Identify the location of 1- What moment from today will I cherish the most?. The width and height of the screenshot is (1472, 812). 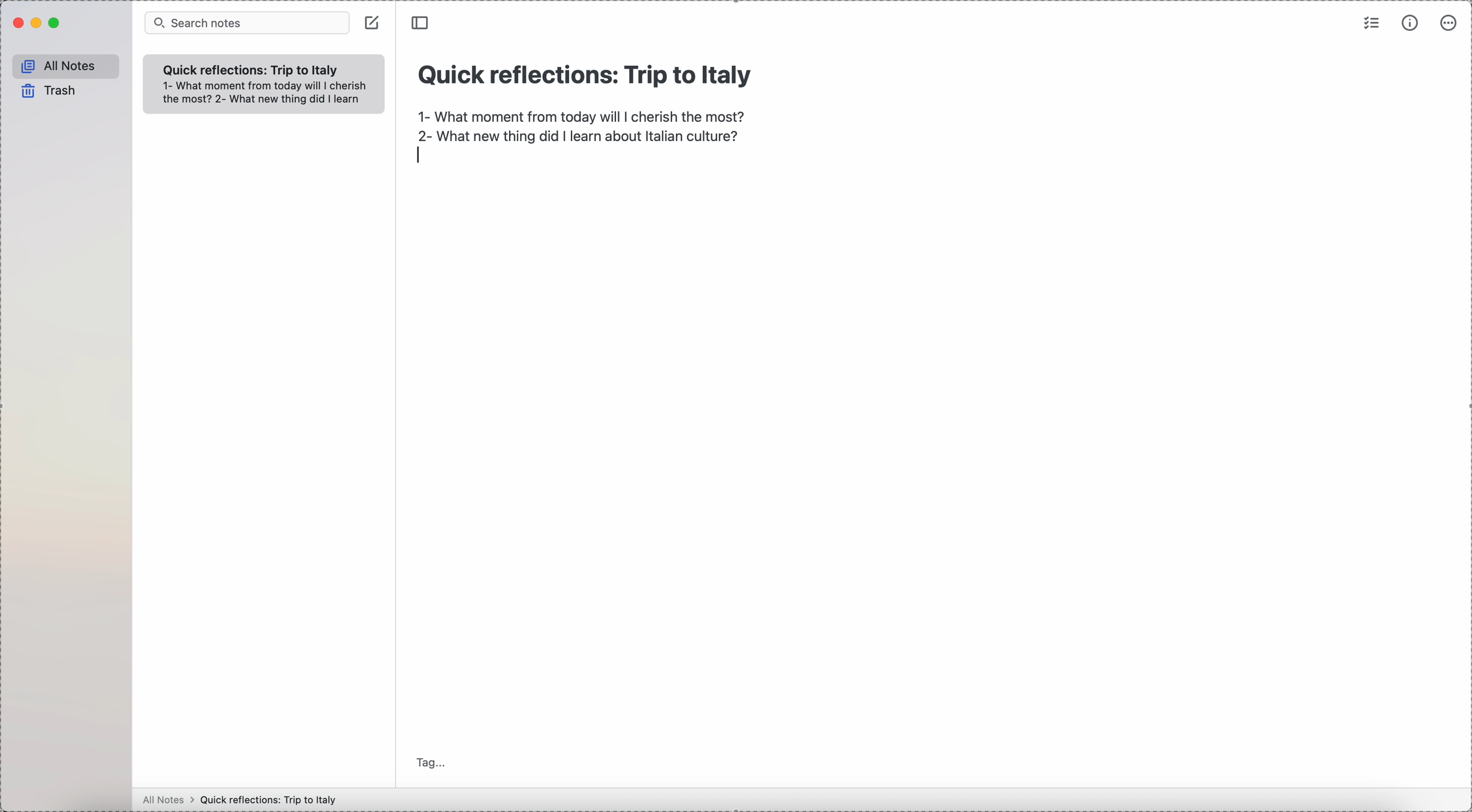
(270, 85).